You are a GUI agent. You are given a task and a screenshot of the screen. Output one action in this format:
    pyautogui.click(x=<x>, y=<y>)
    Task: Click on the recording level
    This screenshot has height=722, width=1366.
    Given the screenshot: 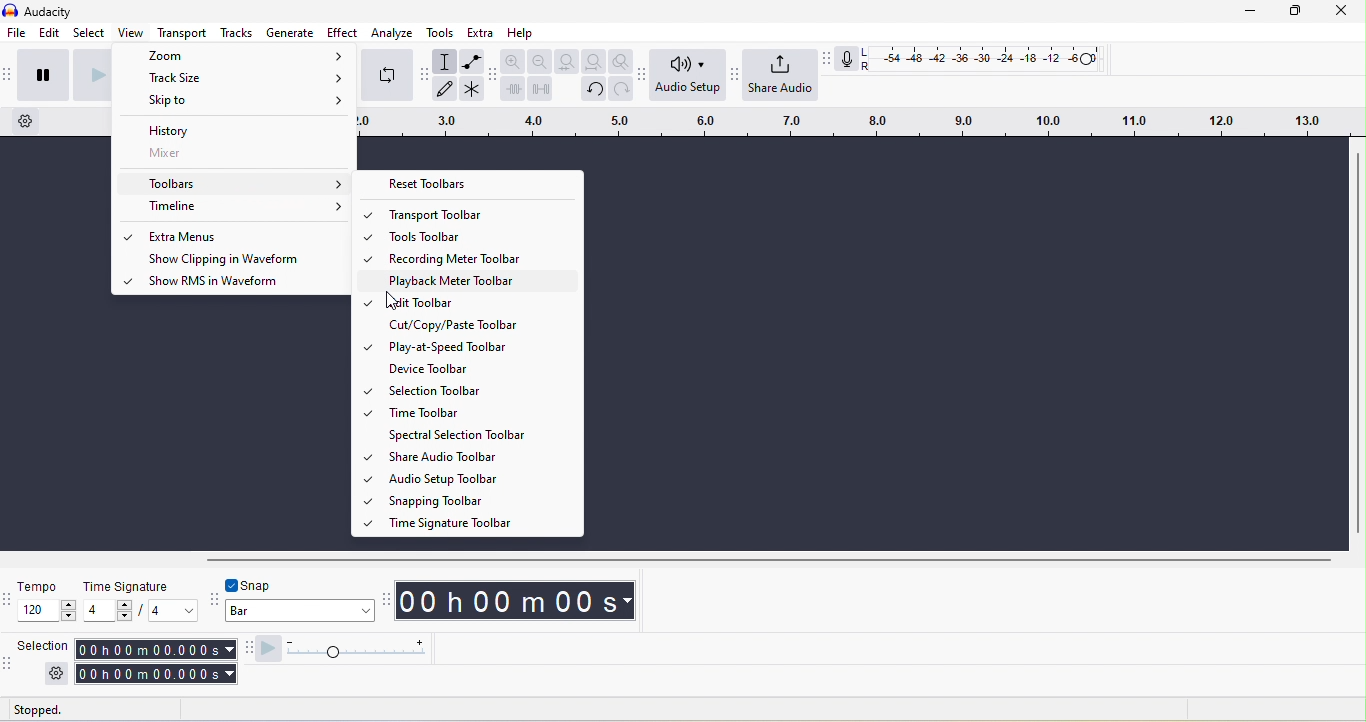 What is the action you would take?
    pyautogui.click(x=989, y=58)
    